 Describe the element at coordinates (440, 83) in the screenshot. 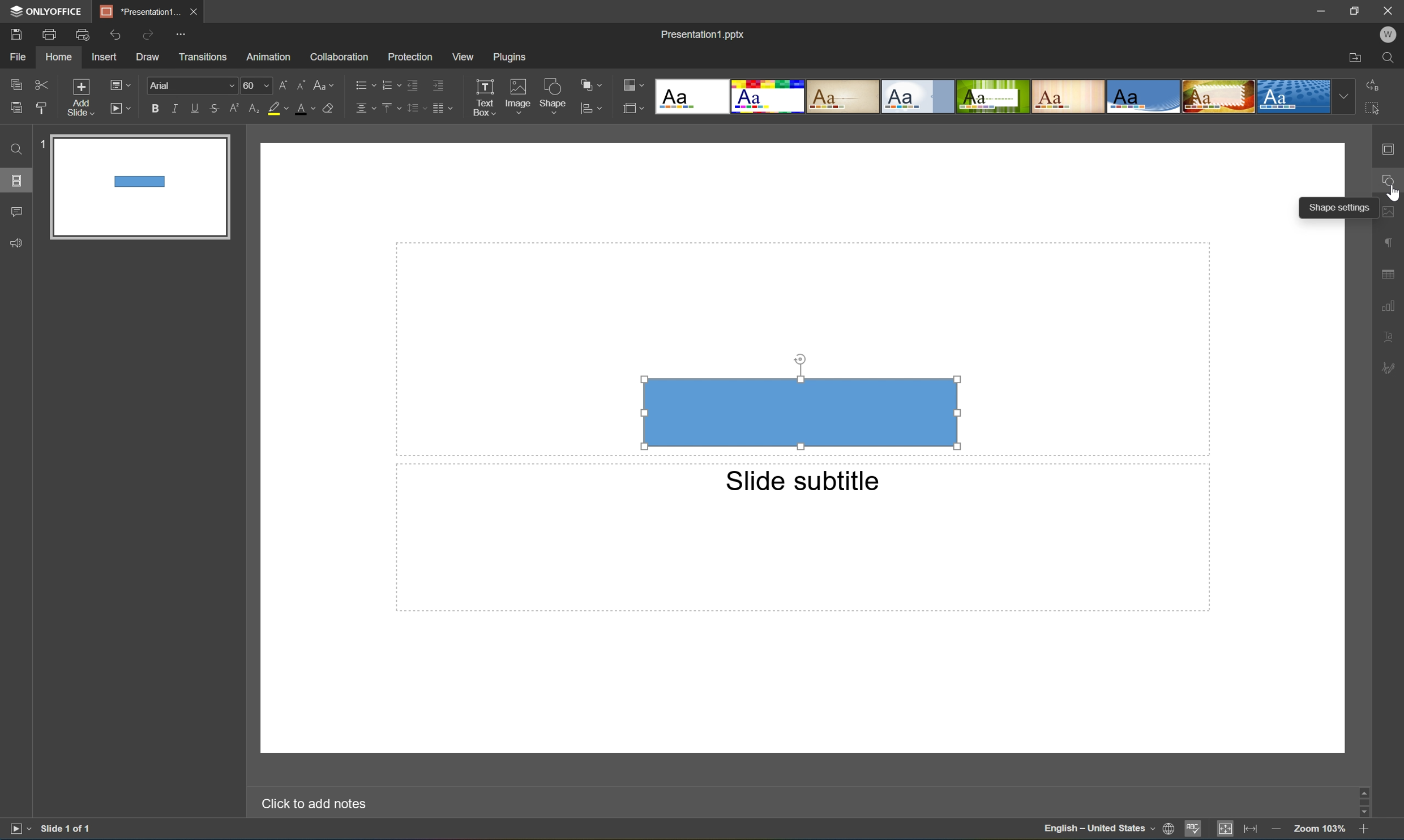

I see `Increase indent` at that location.